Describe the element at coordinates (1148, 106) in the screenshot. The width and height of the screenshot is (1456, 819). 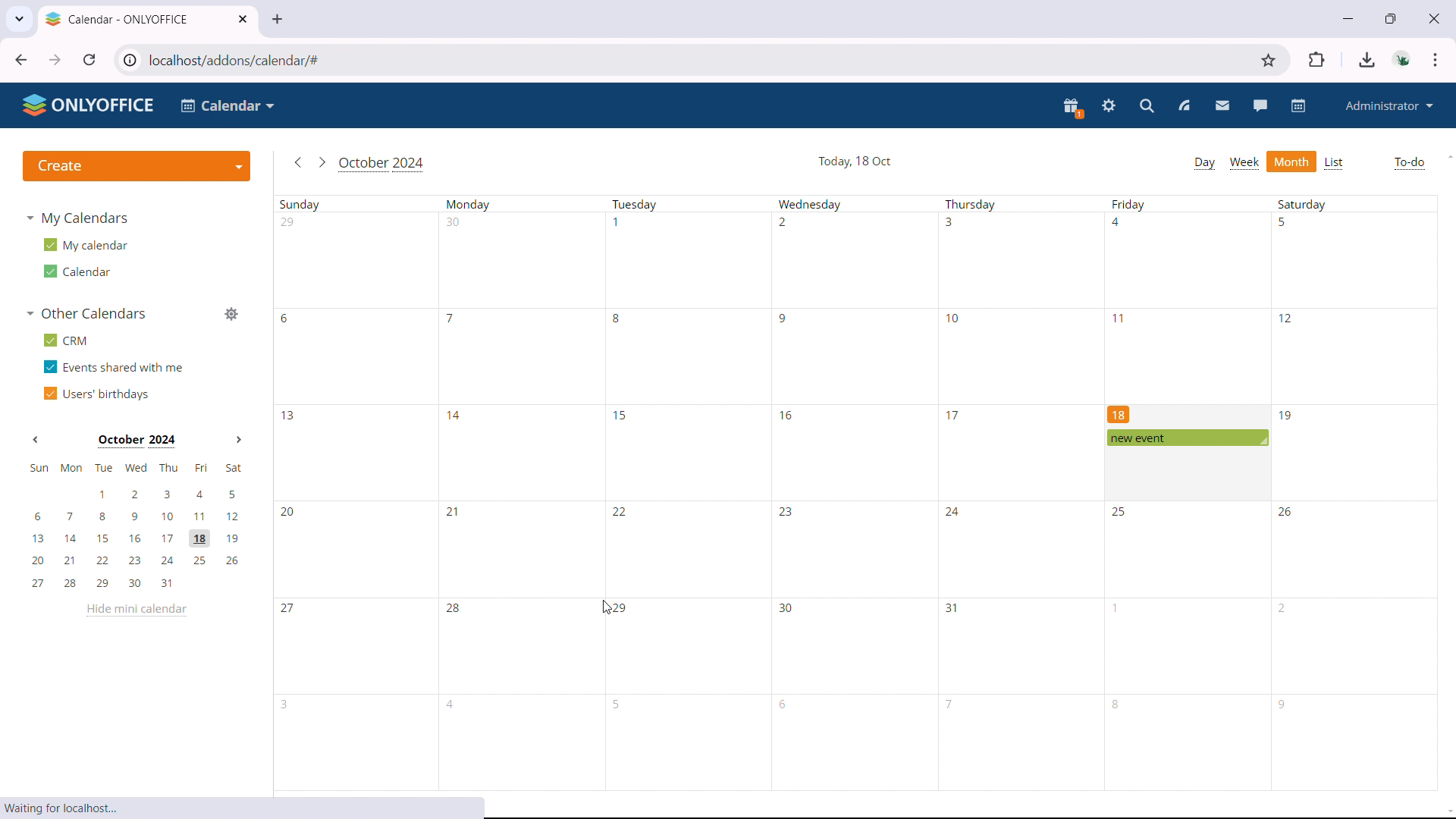
I see `search` at that location.